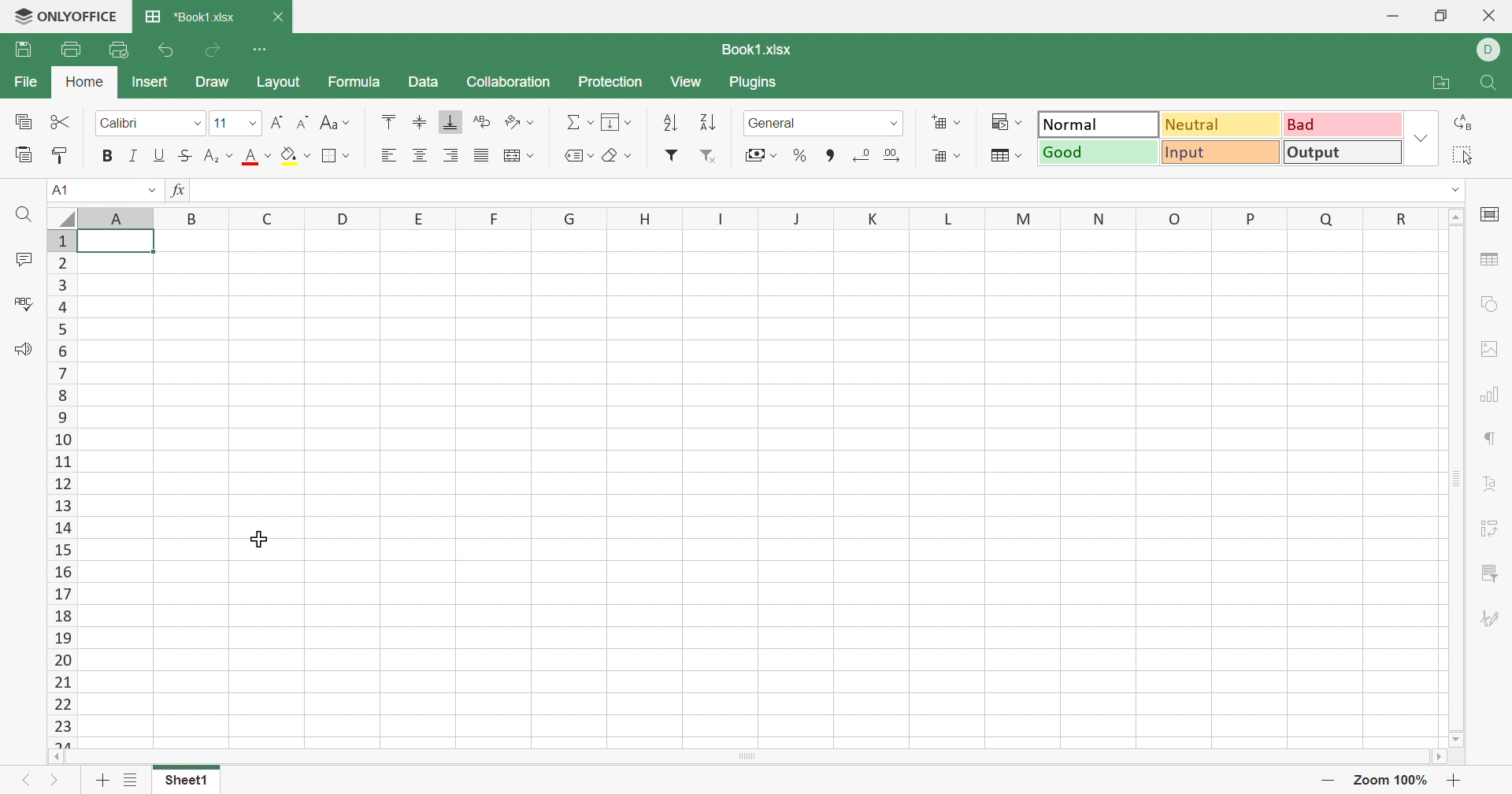  What do you see at coordinates (1493, 50) in the screenshot?
I see `D` at bounding box center [1493, 50].